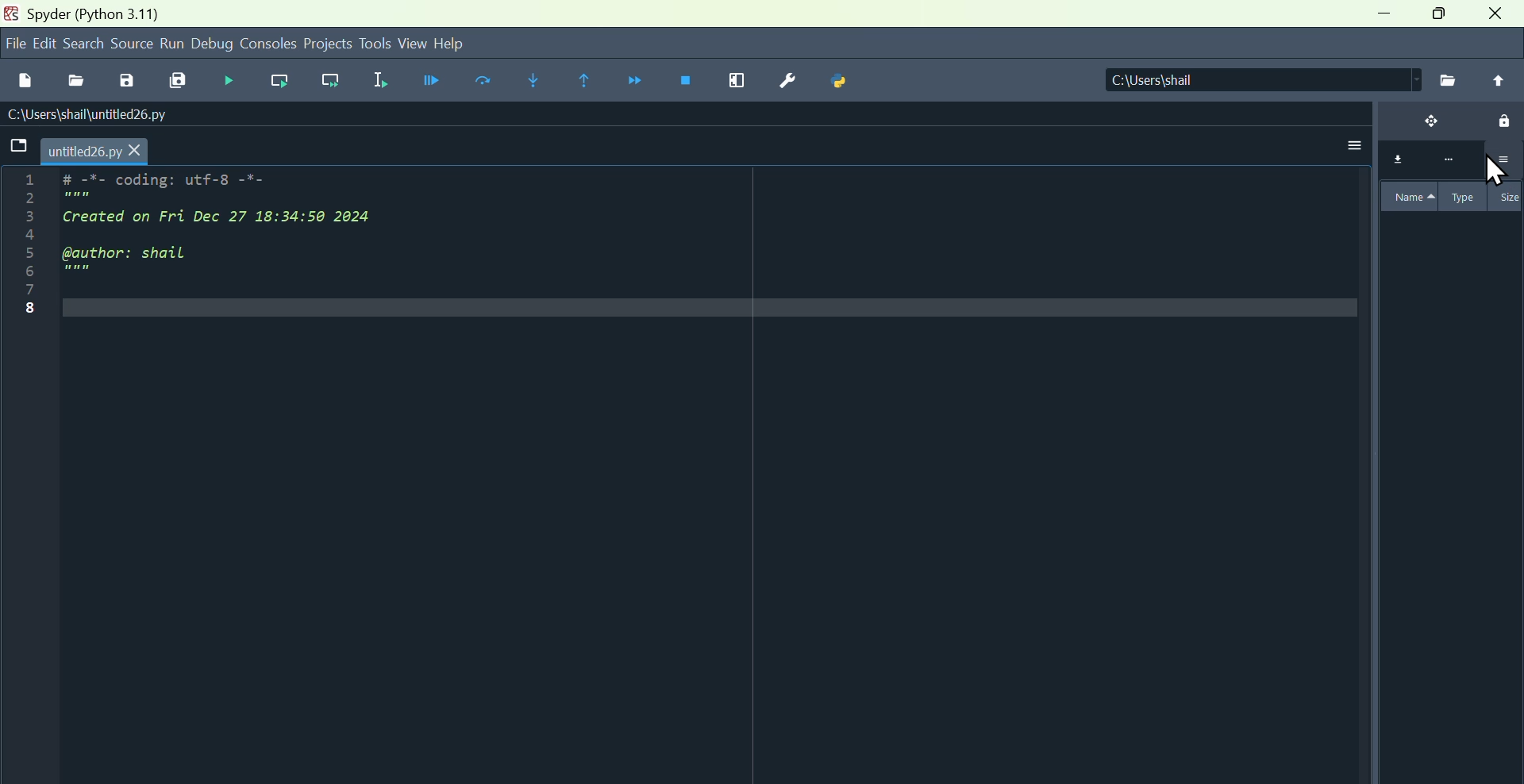  What do you see at coordinates (85, 42) in the screenshot?
I see `search` at bounding box center [85, 42].